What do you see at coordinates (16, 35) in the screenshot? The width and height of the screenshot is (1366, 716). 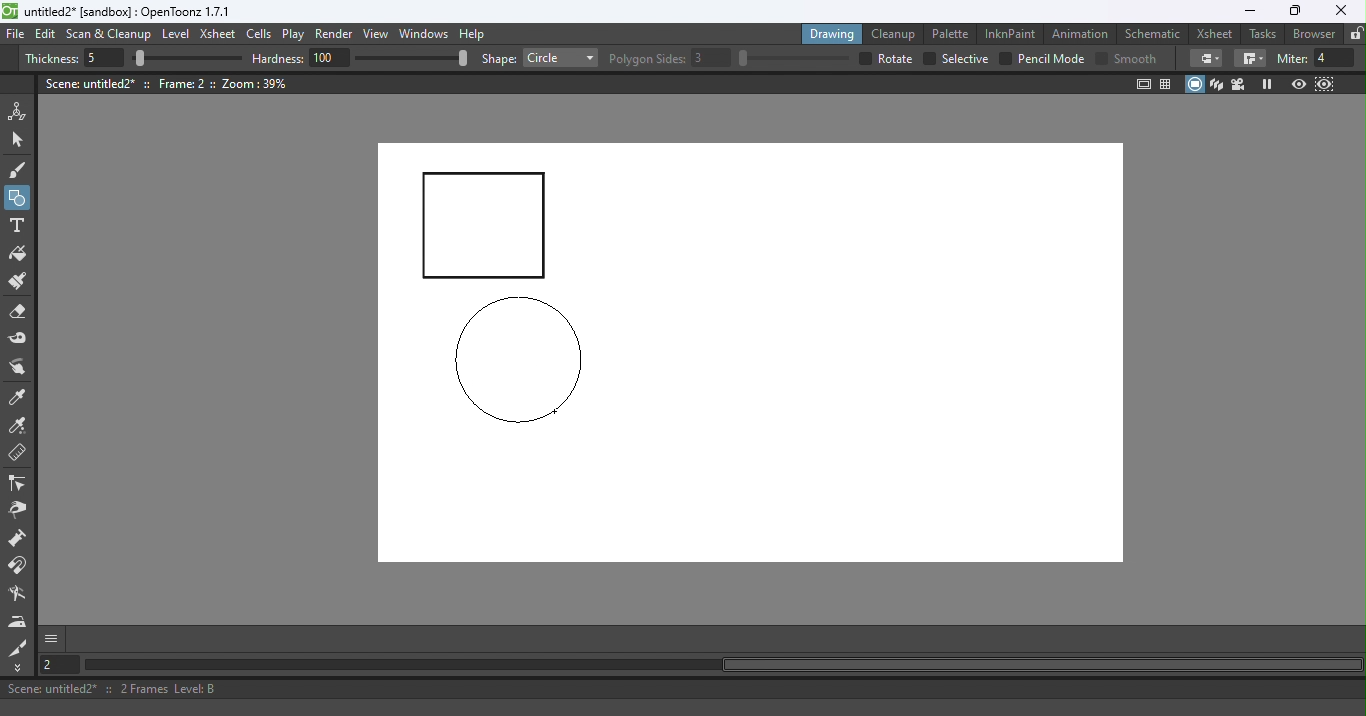 I see `File` at bounding box center [16, 35].